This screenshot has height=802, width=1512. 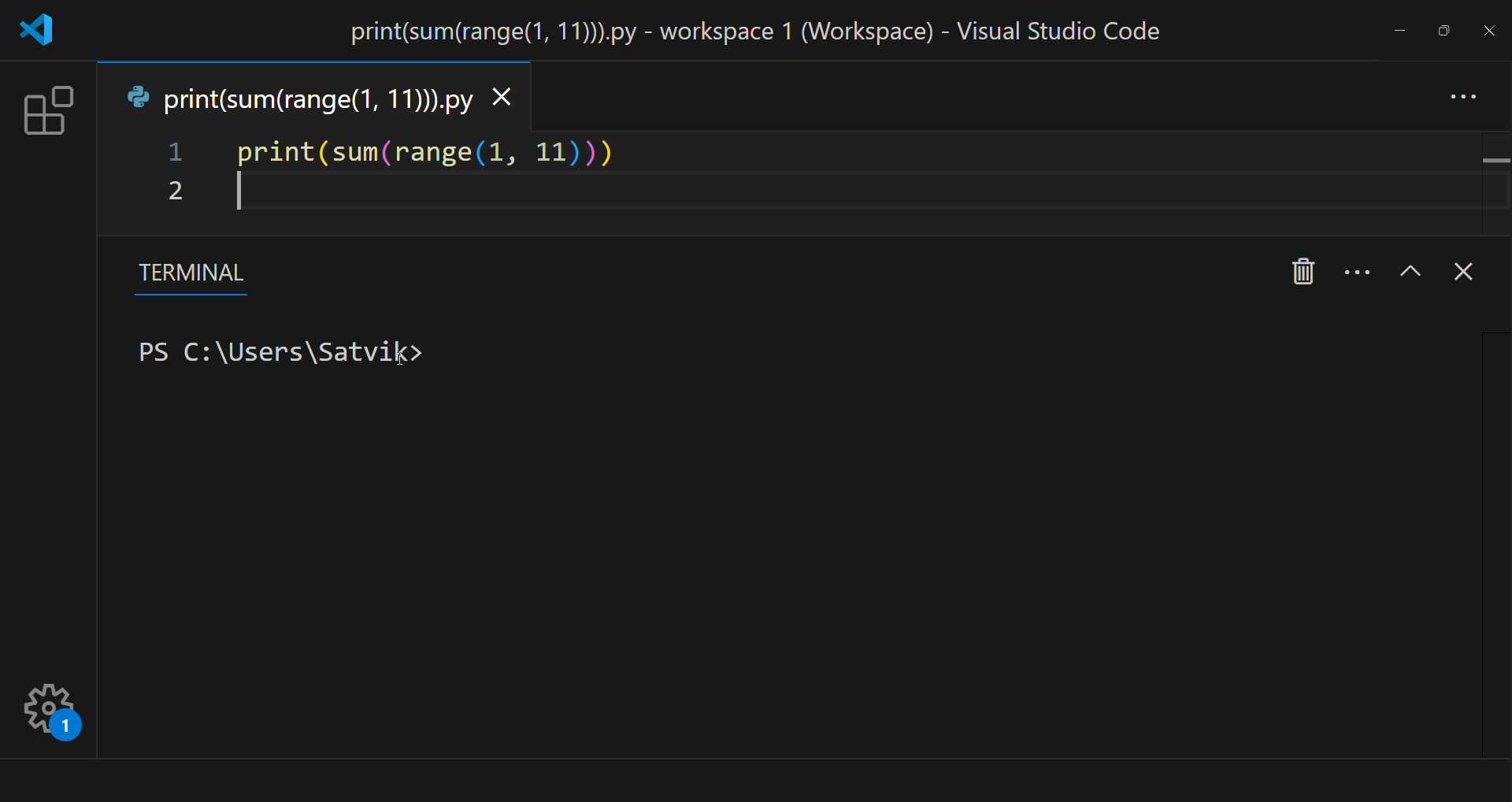 I want to click on minimize, so click(x=1395, y=31).